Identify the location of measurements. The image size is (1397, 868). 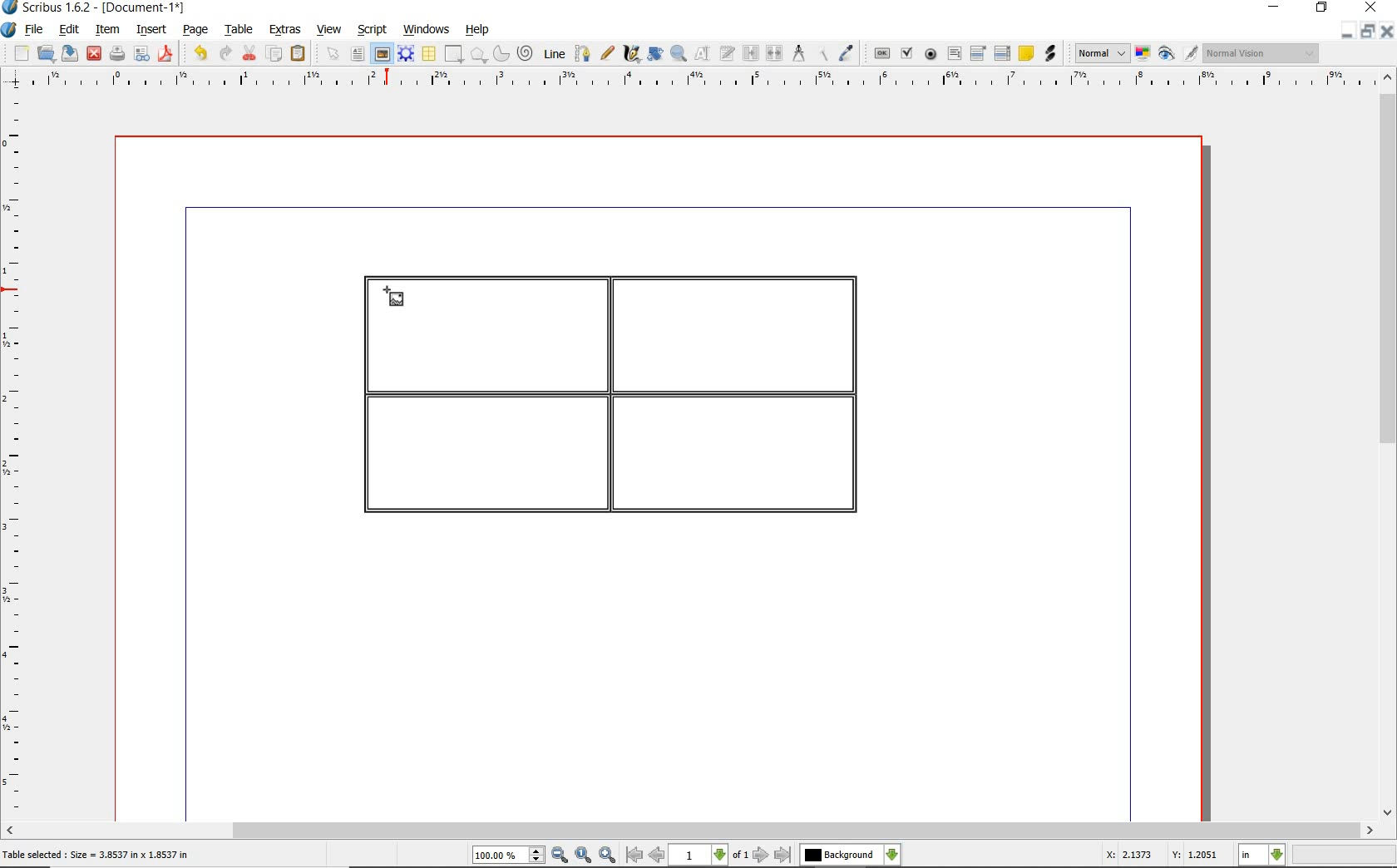
(799, 53).